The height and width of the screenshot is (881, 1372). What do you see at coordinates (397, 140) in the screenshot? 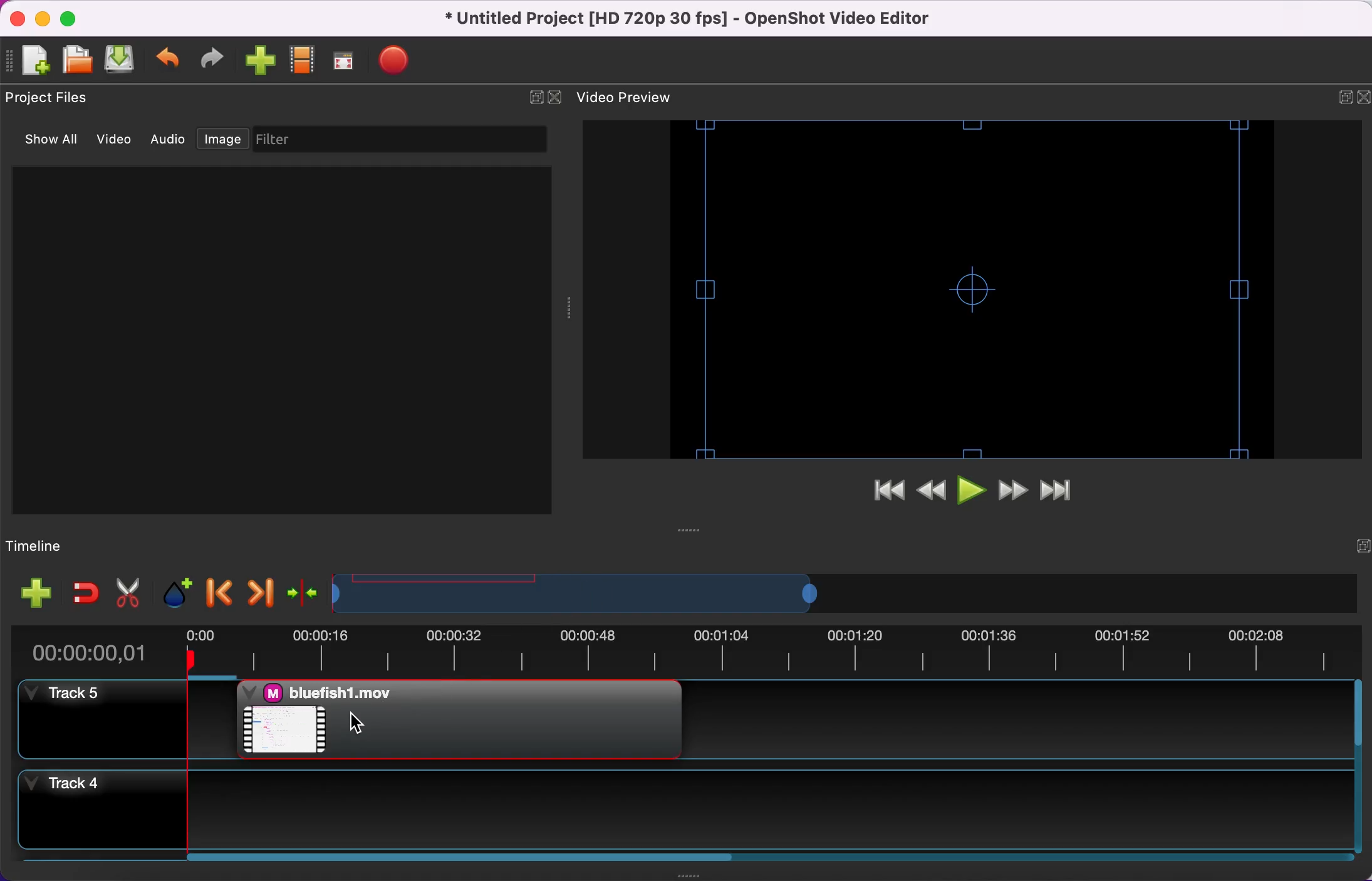
I see `filter` at bounding box center [397, 140].